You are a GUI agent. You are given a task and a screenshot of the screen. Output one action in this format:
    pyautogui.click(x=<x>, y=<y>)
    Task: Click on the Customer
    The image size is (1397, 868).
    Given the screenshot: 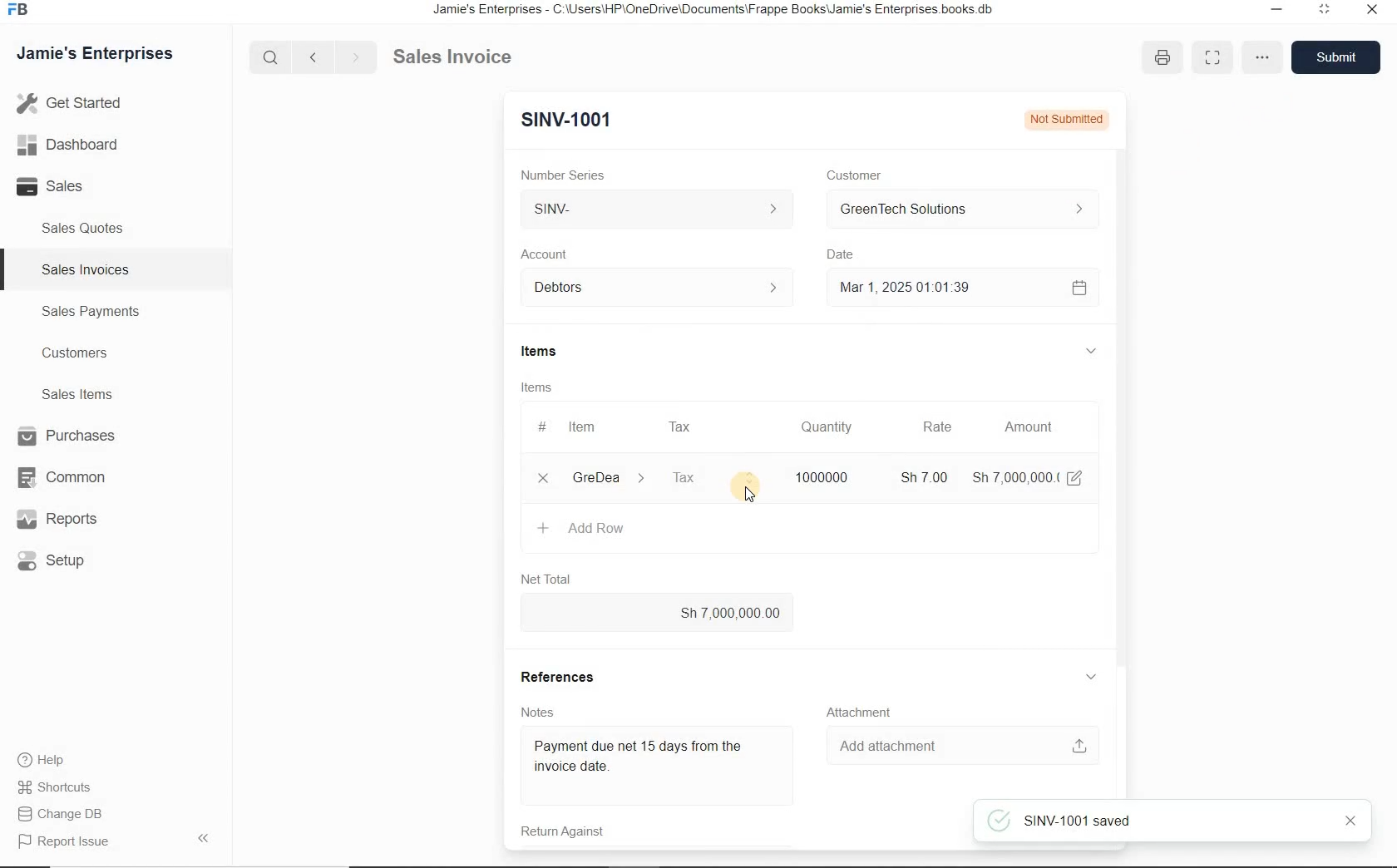 What is the action you would take?
    pyautogui.click(x=849, y=175)
    